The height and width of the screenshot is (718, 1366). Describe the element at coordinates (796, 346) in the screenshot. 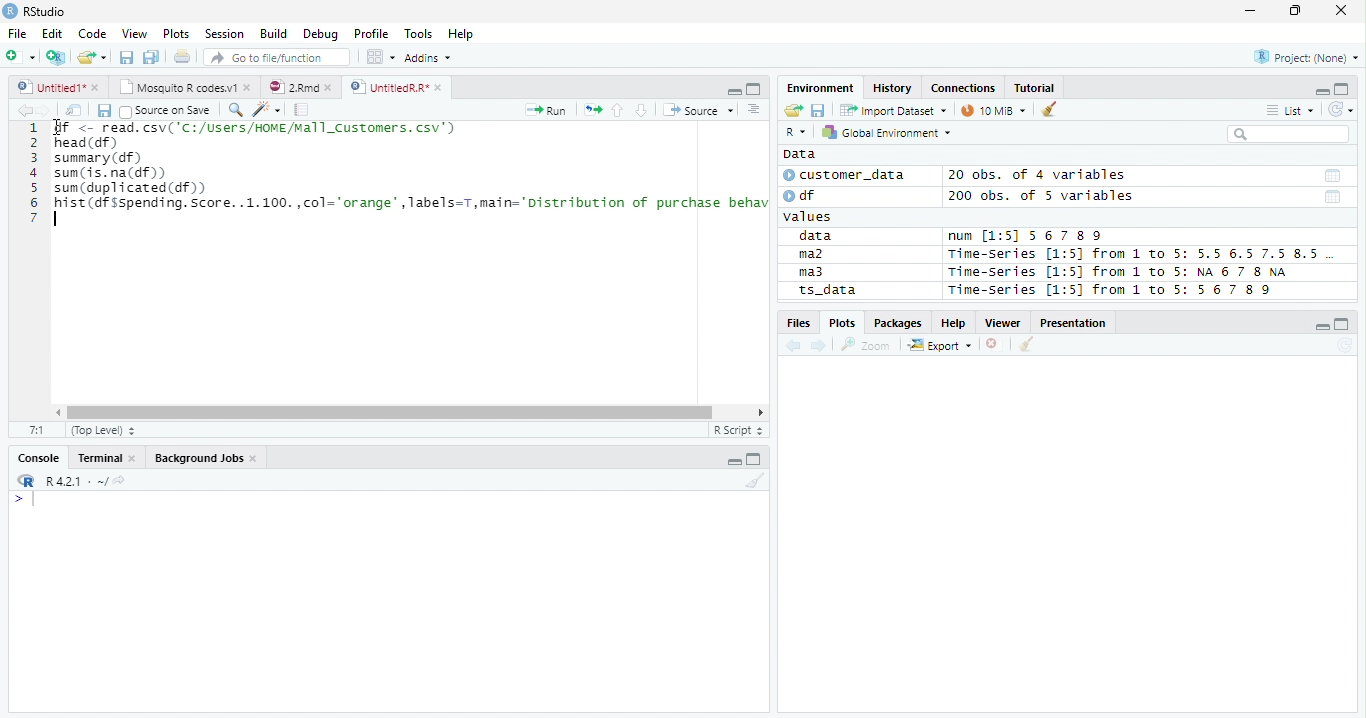

I see `Previous` at that location.